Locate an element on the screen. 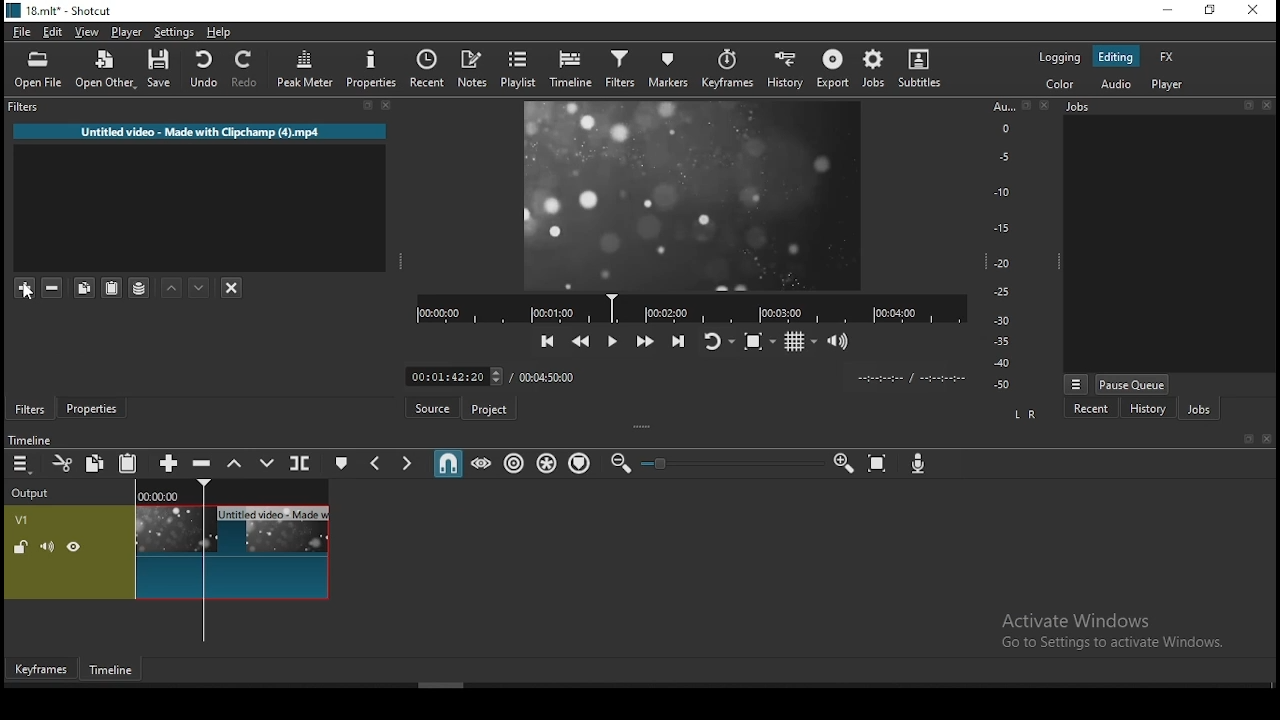 The image size is (1280, 720). player is located at coordinates (1168, 84).